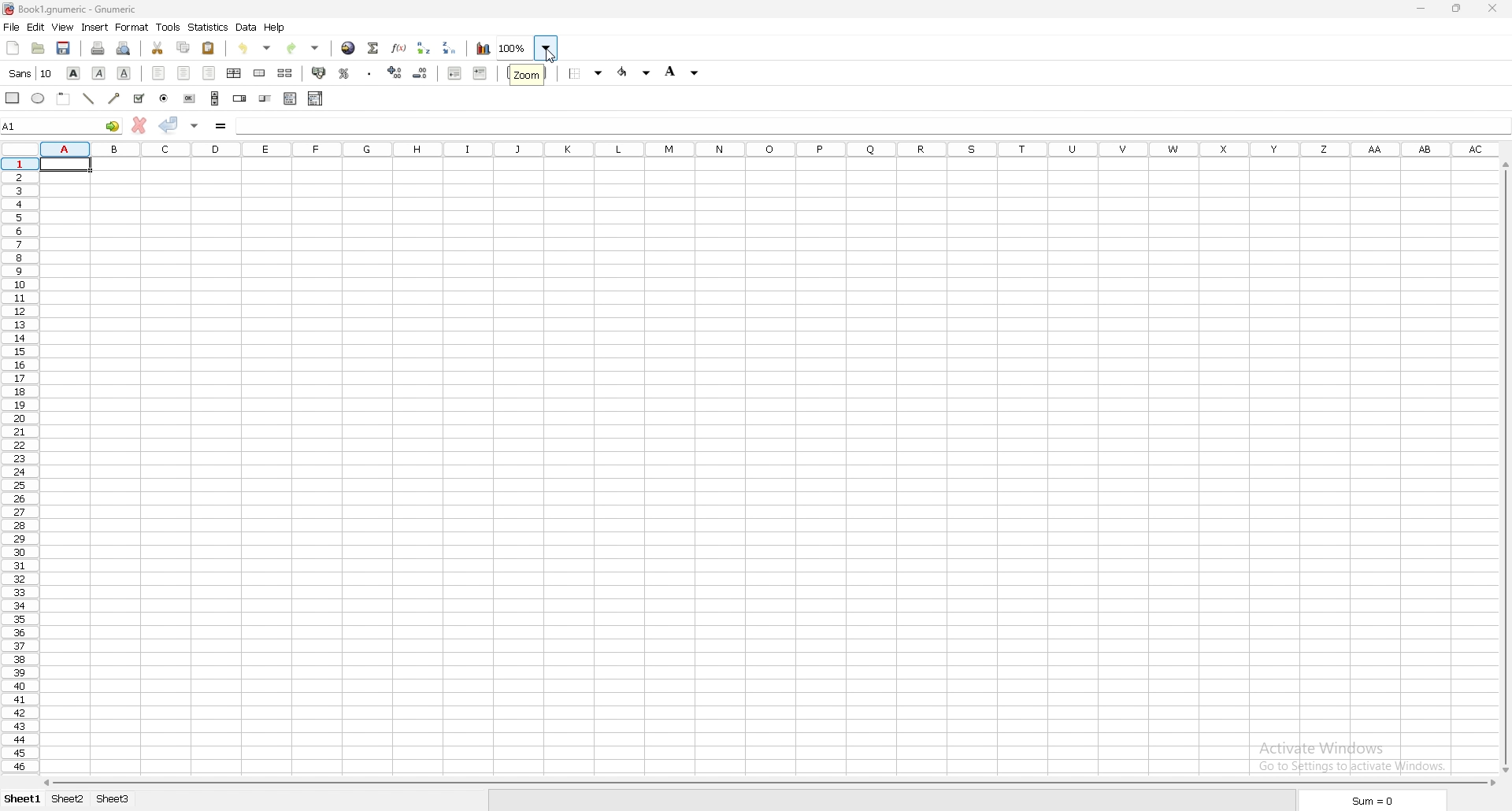 Image resolution: width=1512 pixels, height=811 pixels. I want to click on scroll bar, so click(215, 98).